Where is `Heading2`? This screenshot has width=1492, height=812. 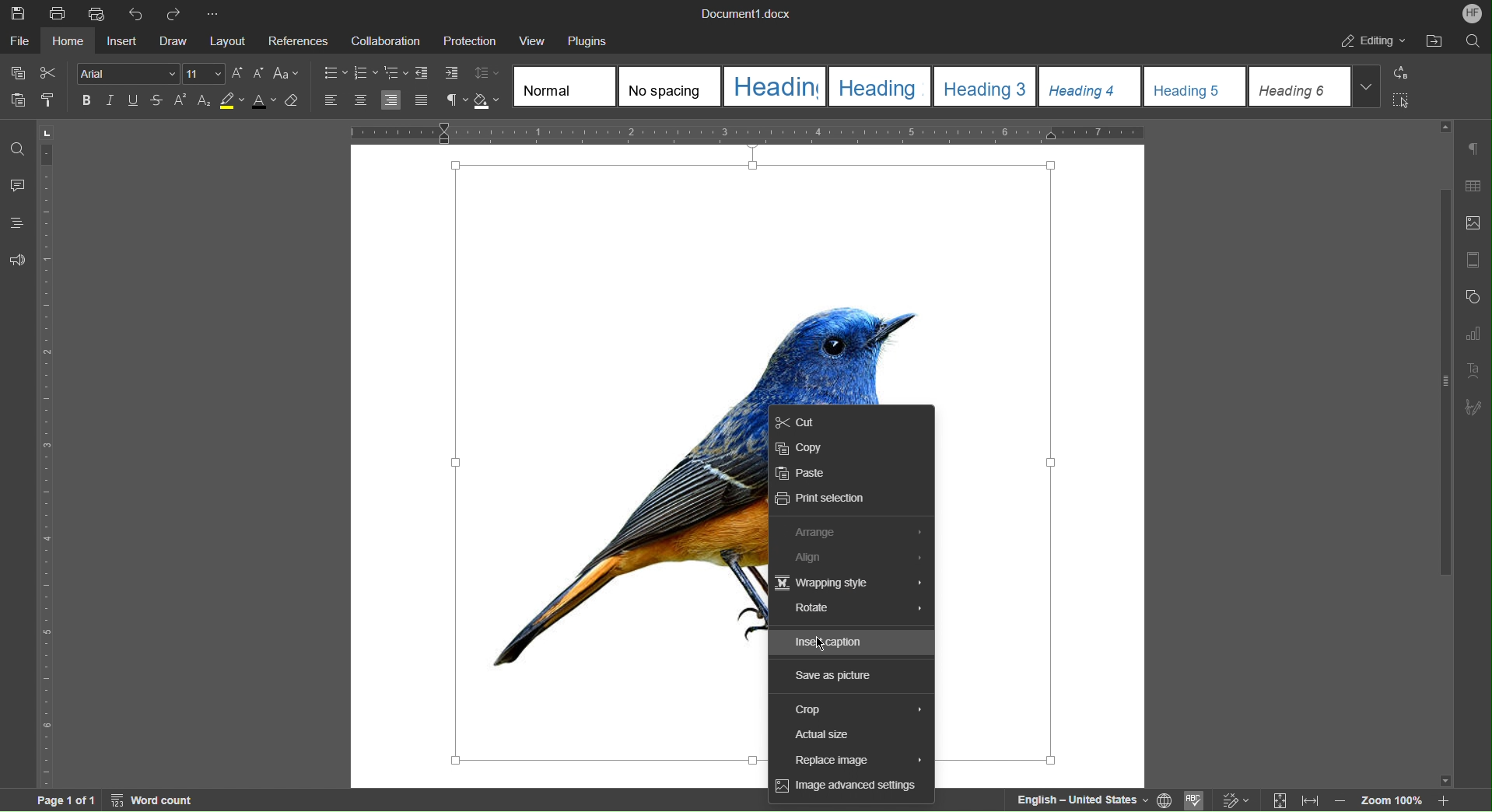 Heading2 is located at coordinates (879, 85).